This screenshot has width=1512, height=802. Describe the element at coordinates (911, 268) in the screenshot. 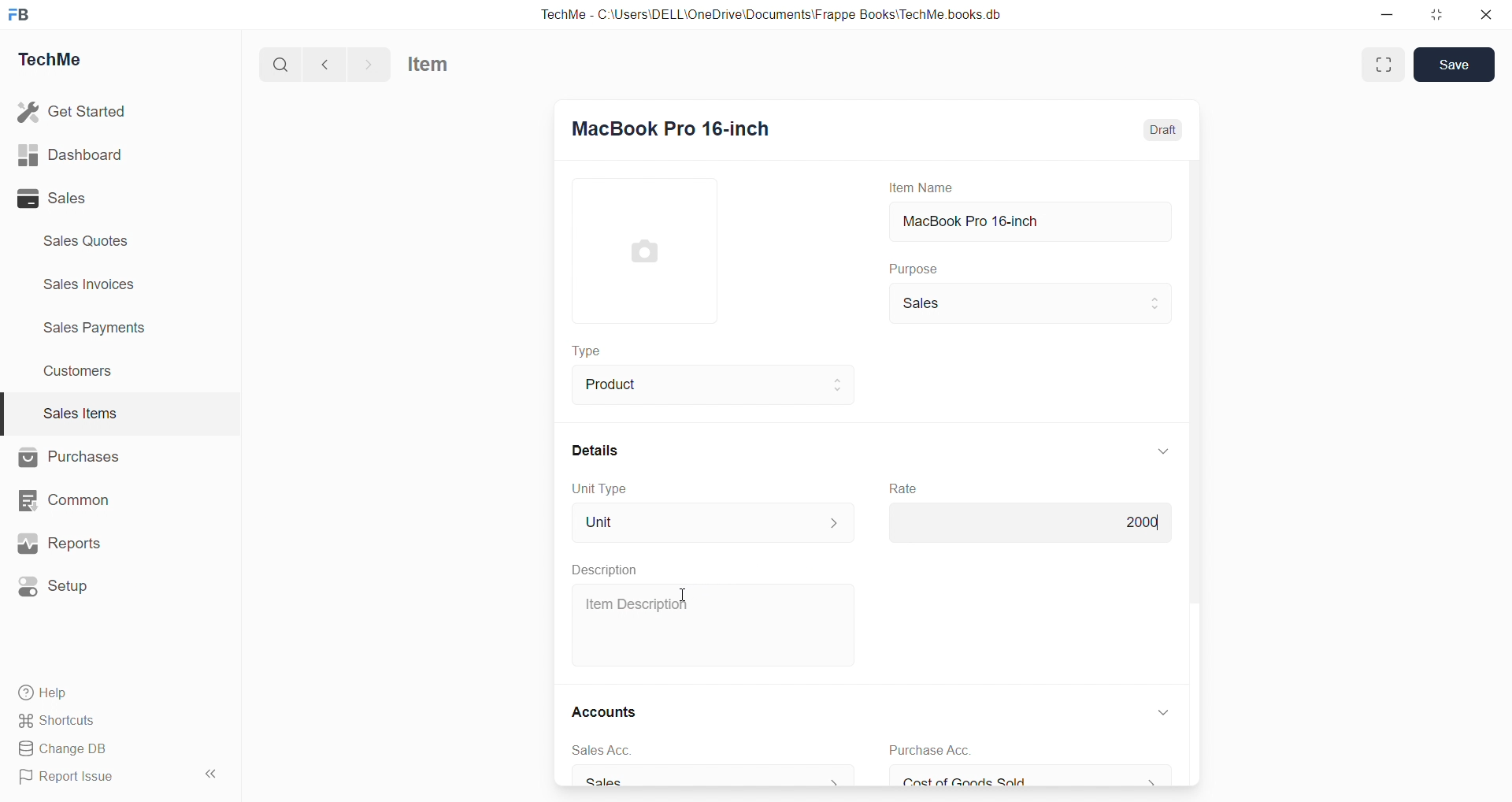

I see `Purpose` at that location.